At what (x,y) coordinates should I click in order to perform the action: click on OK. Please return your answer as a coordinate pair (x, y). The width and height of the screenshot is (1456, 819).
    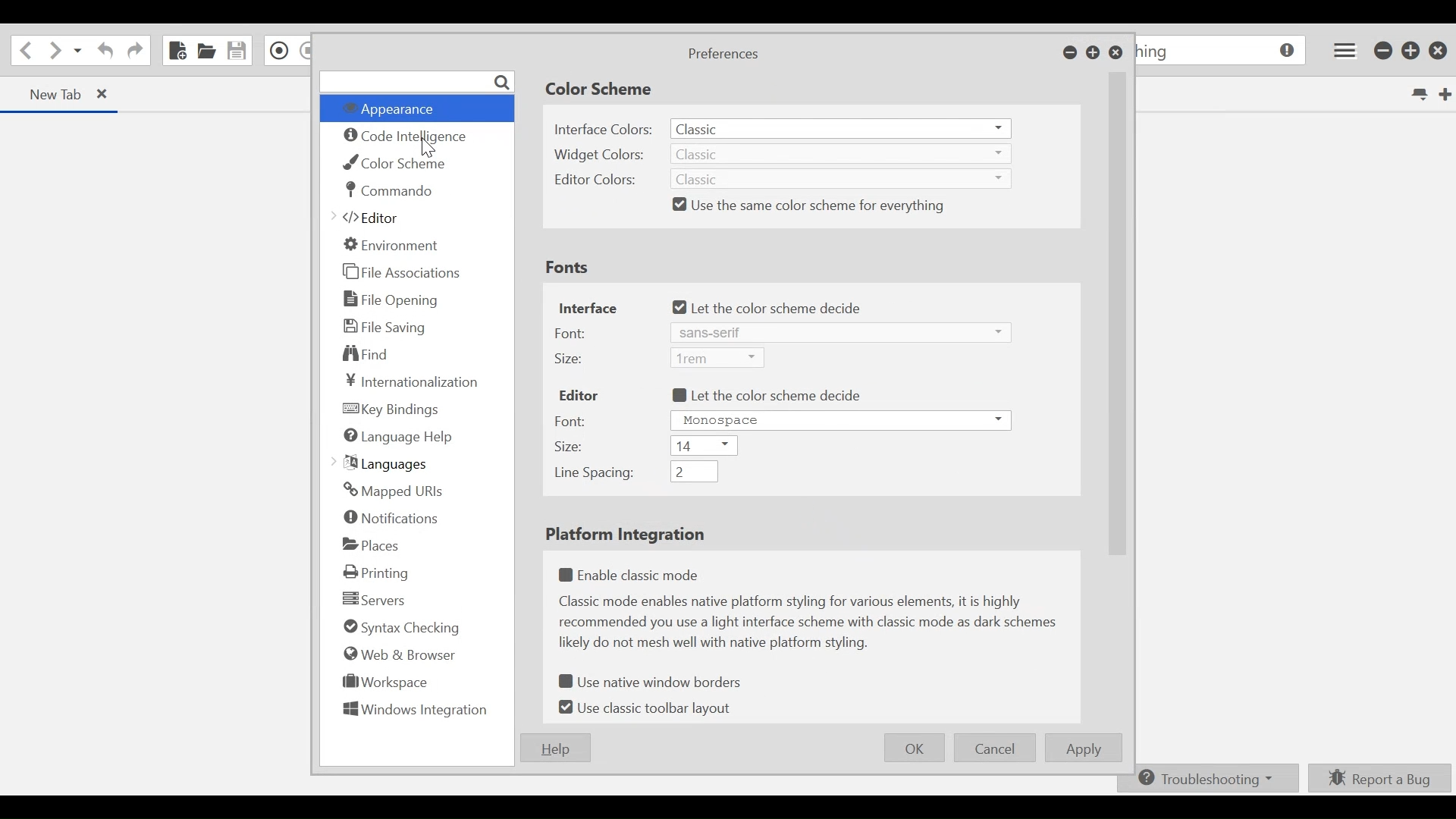
    Looking at the image, I should click on (915, 746).